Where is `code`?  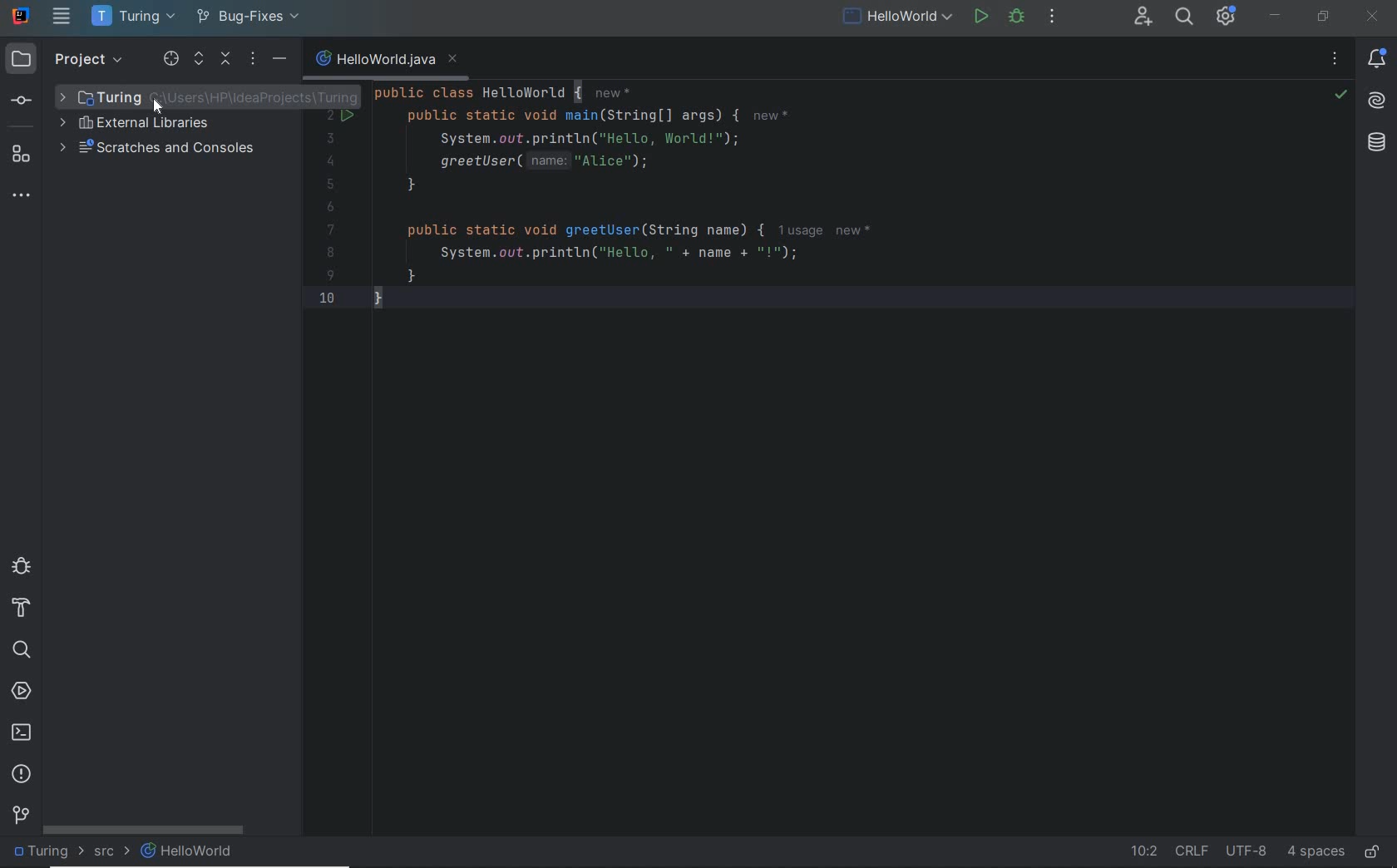
code is located at coordinates (702, 195).